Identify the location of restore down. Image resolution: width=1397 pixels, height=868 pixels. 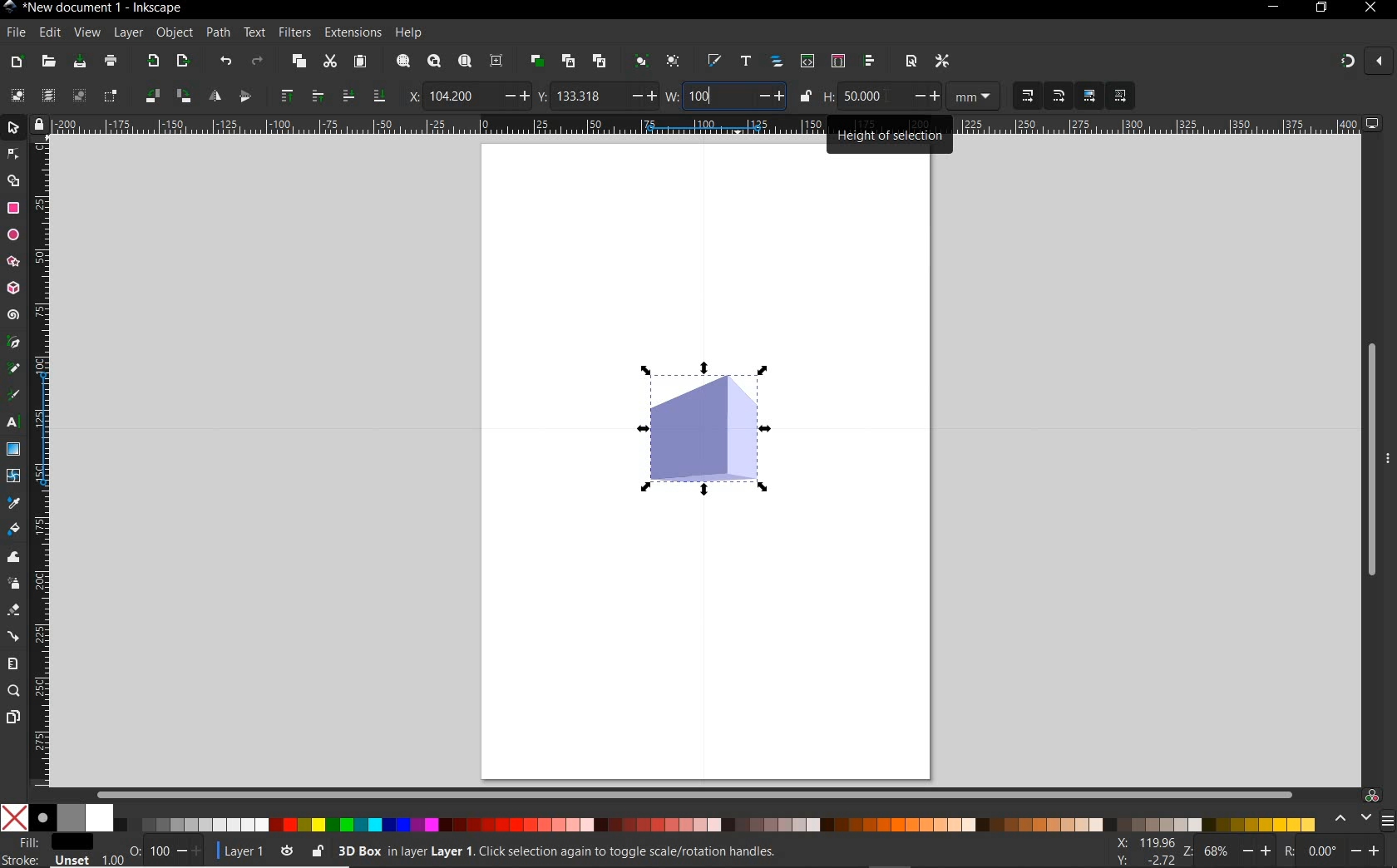
(1321, 8).